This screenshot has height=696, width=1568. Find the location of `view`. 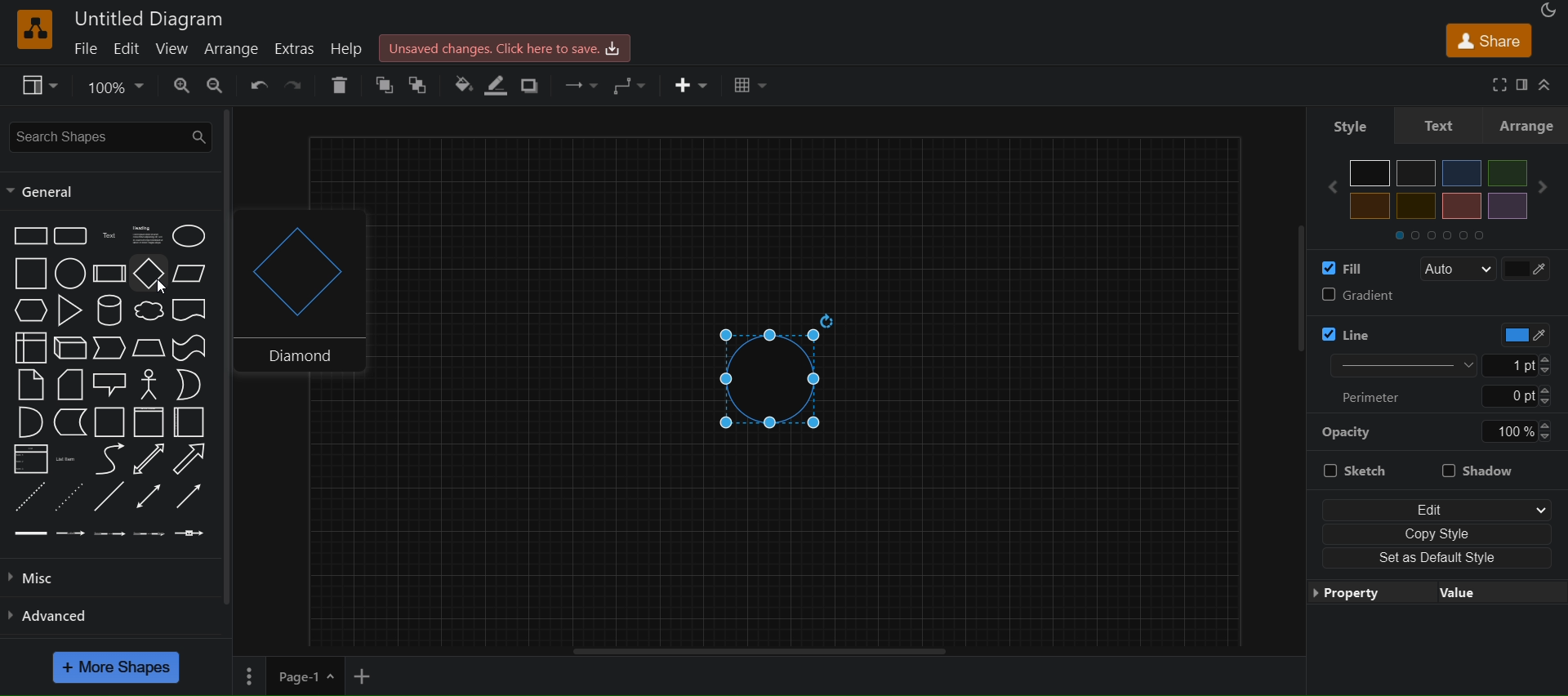

view is located at coordinates (173, 48).